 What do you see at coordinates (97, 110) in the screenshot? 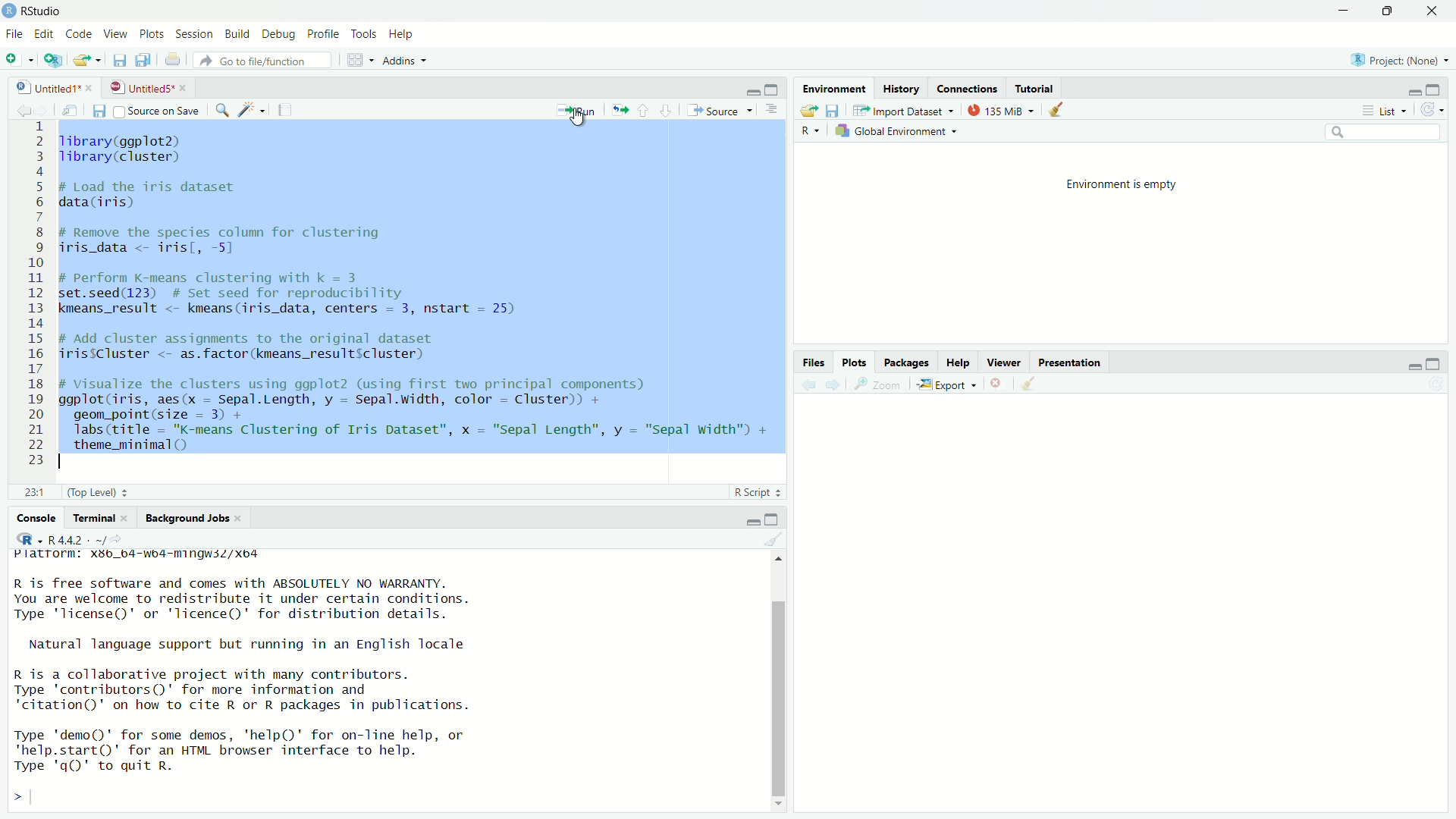
I see `save current document` at bounding box center [97, 110].